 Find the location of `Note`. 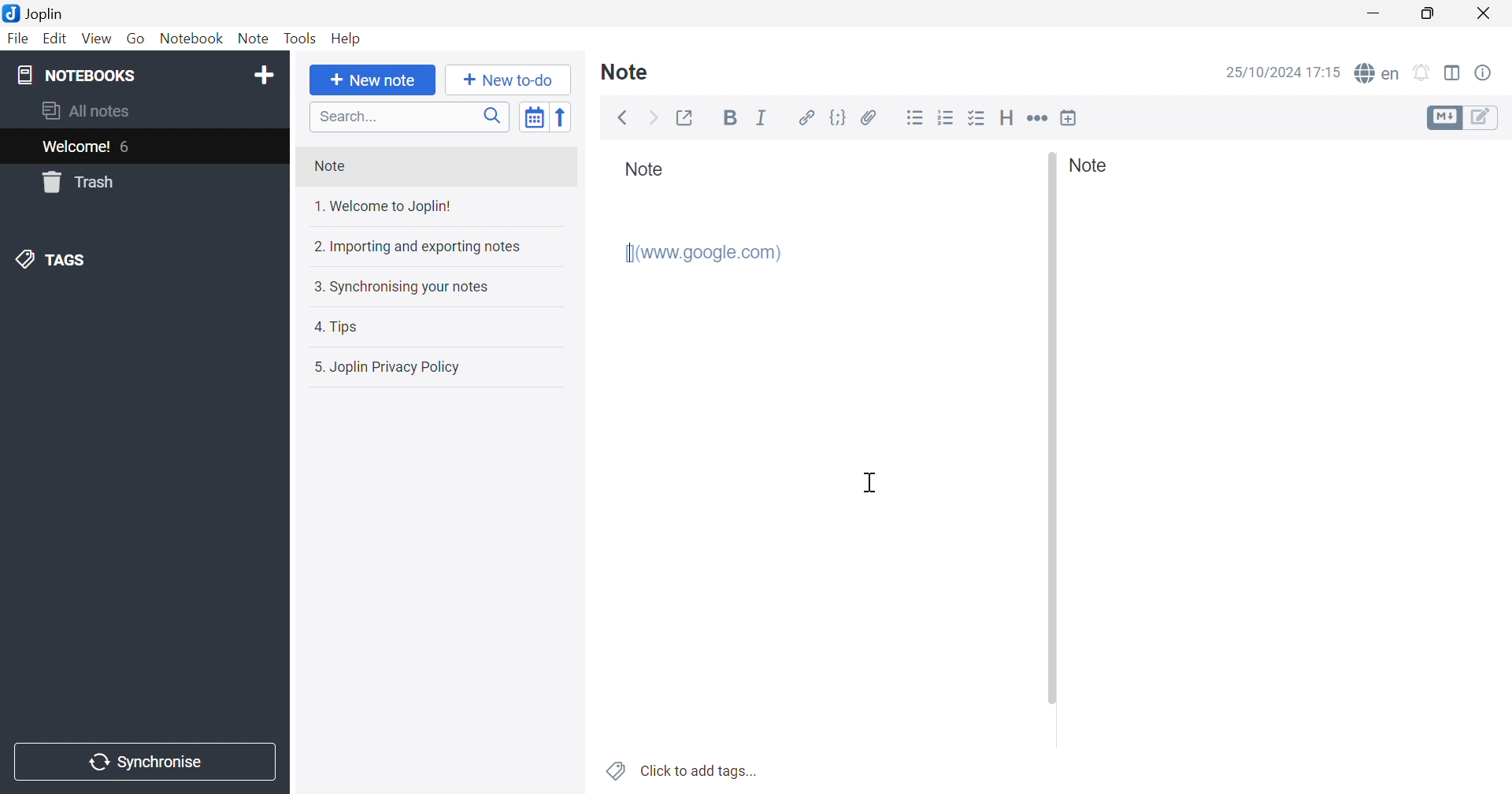

Note is located at coordinates (1094, 165).